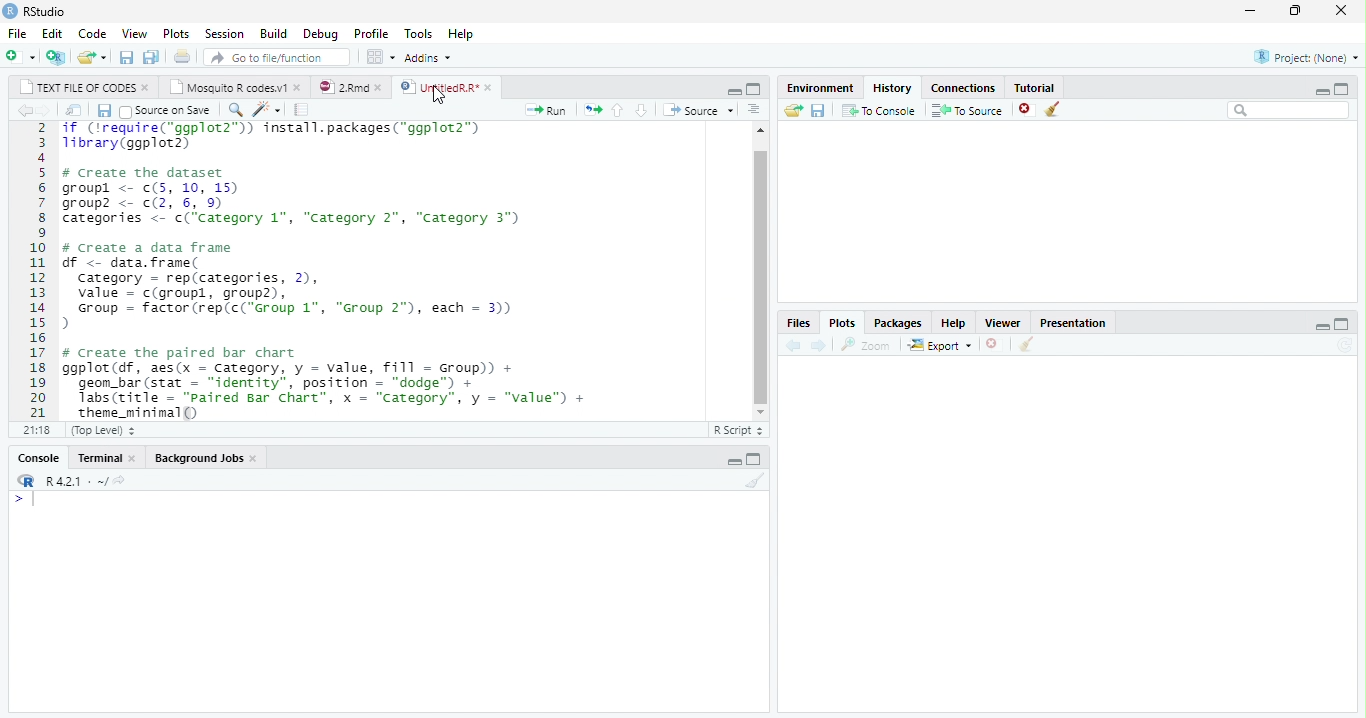 Image resolution: width=1366 pixels, height=718 pixels. What do you see at coordinates (1021, 110) in the screenshot?
I see `remove selected history` at bounding box center [1021, 110].